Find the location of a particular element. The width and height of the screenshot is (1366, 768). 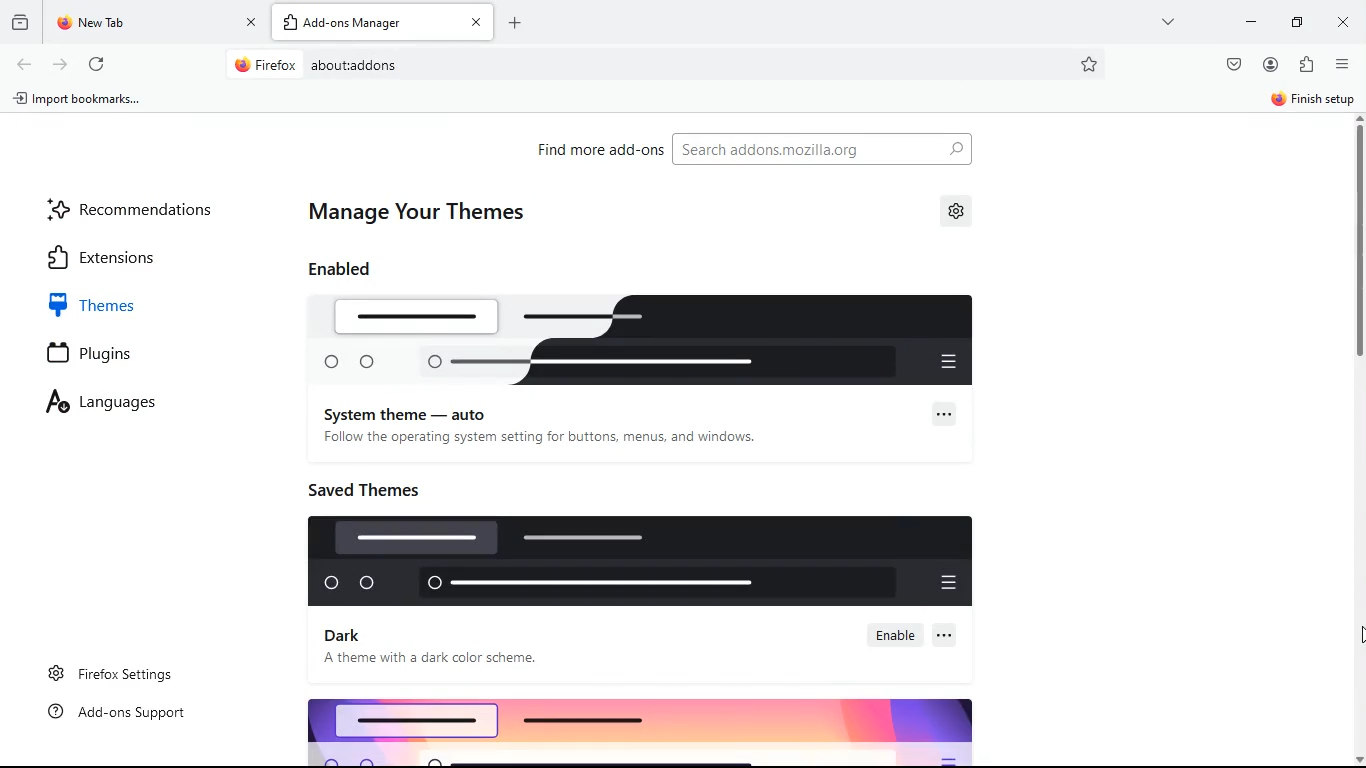

enabled is located at coordinates (347, 268).